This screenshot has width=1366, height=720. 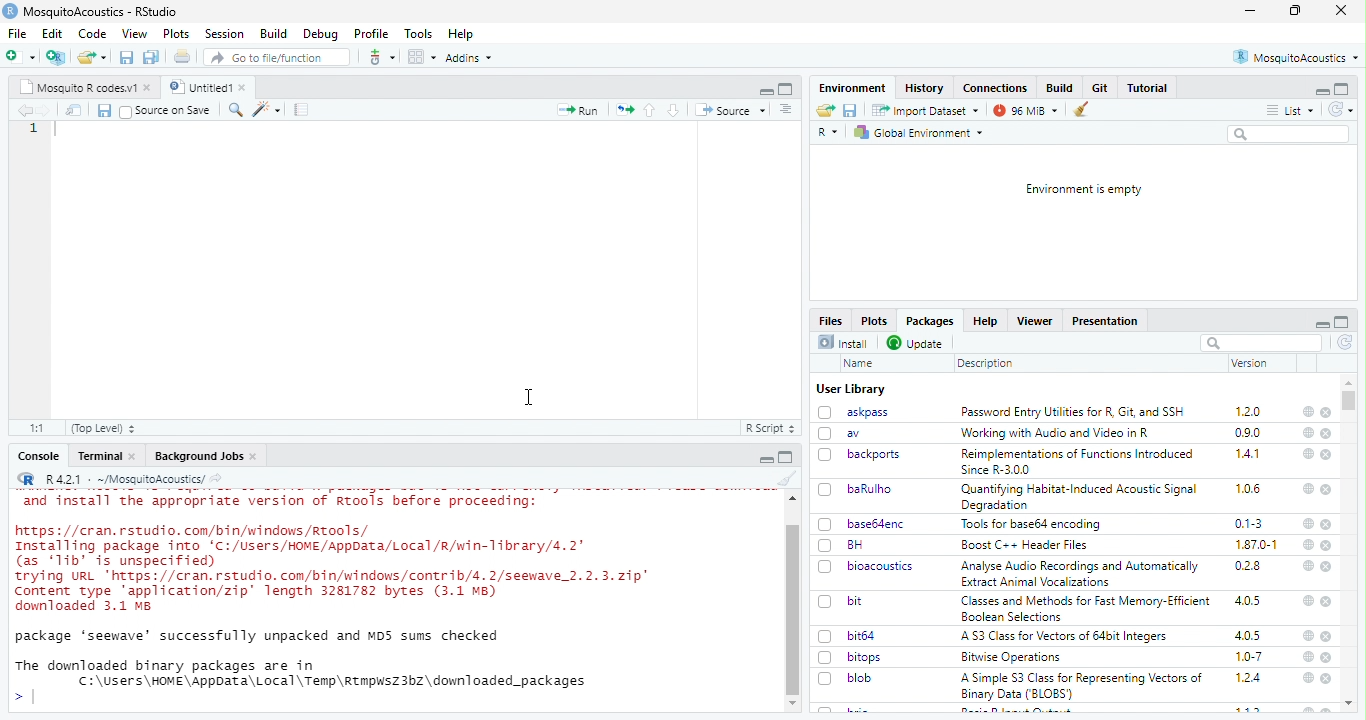 What do you see at coordinates (826, 658) in the screenshot?
I see `checkbox` at bounding box center [826, 658].